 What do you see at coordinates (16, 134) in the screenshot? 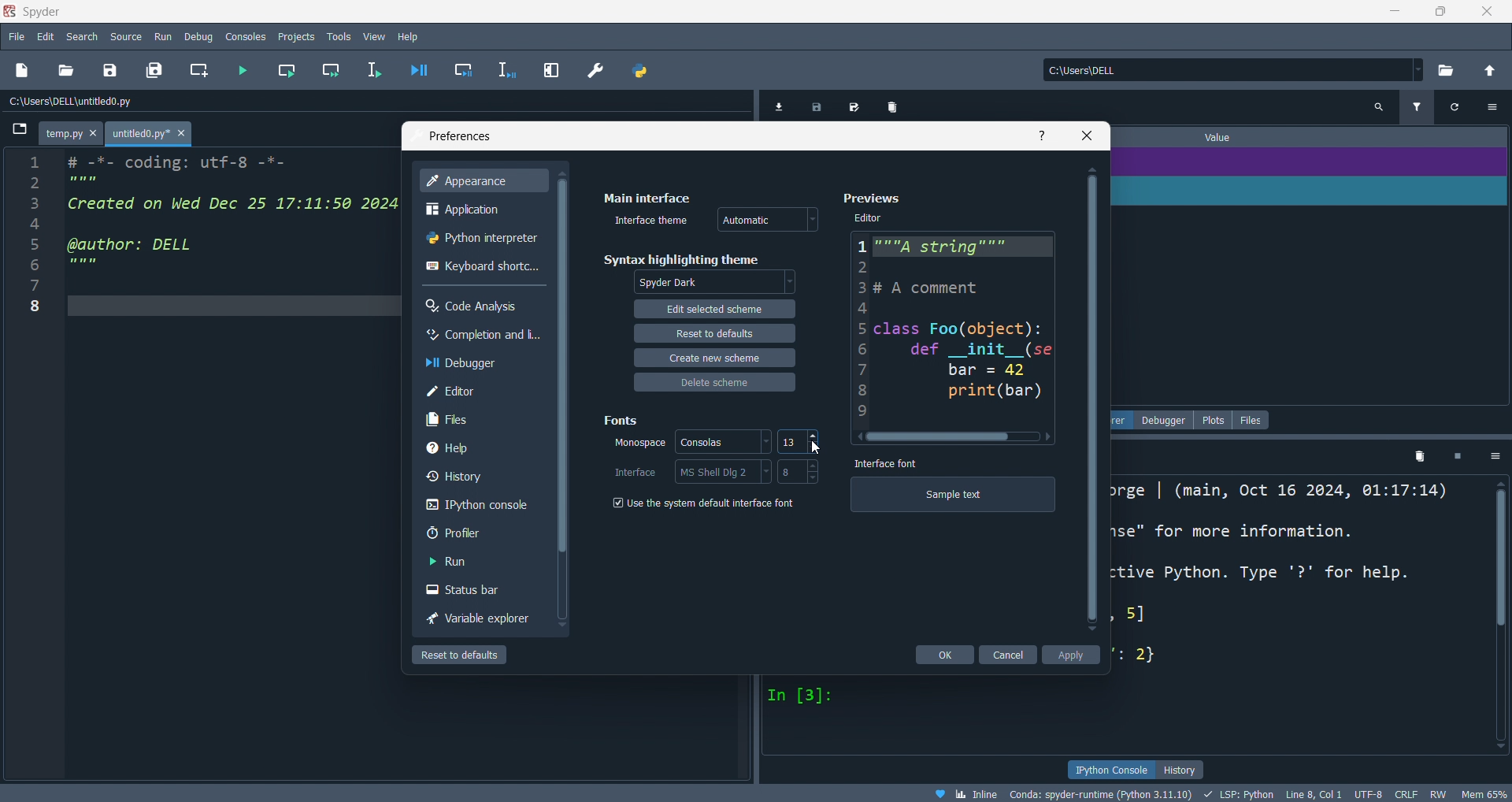
I see `browse tabs` at bounding box center [16, 134].